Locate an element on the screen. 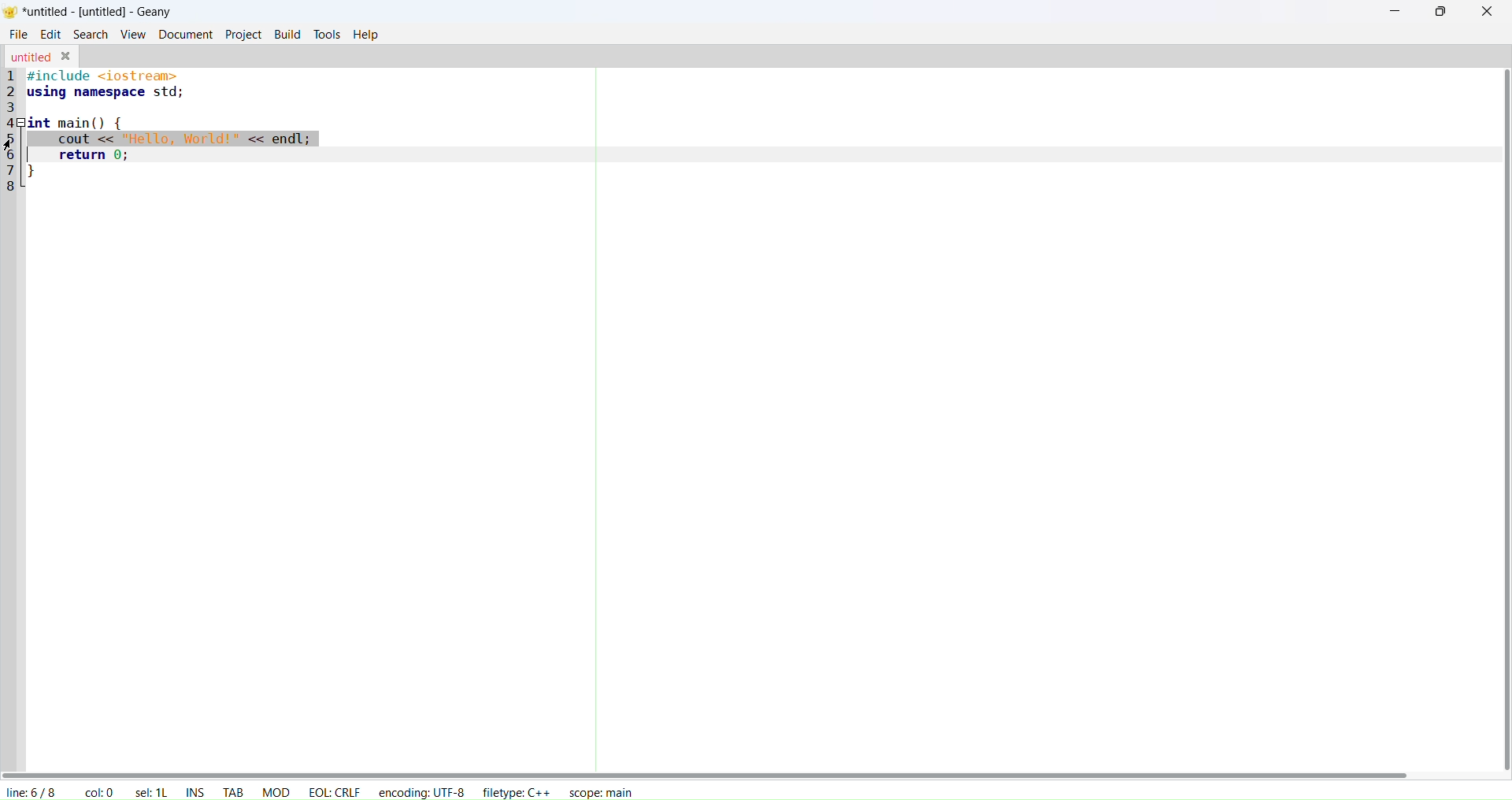 Image resolution: width=1512 pixels, height=800 pixels. minimize is located at coordinates (1395, 11).